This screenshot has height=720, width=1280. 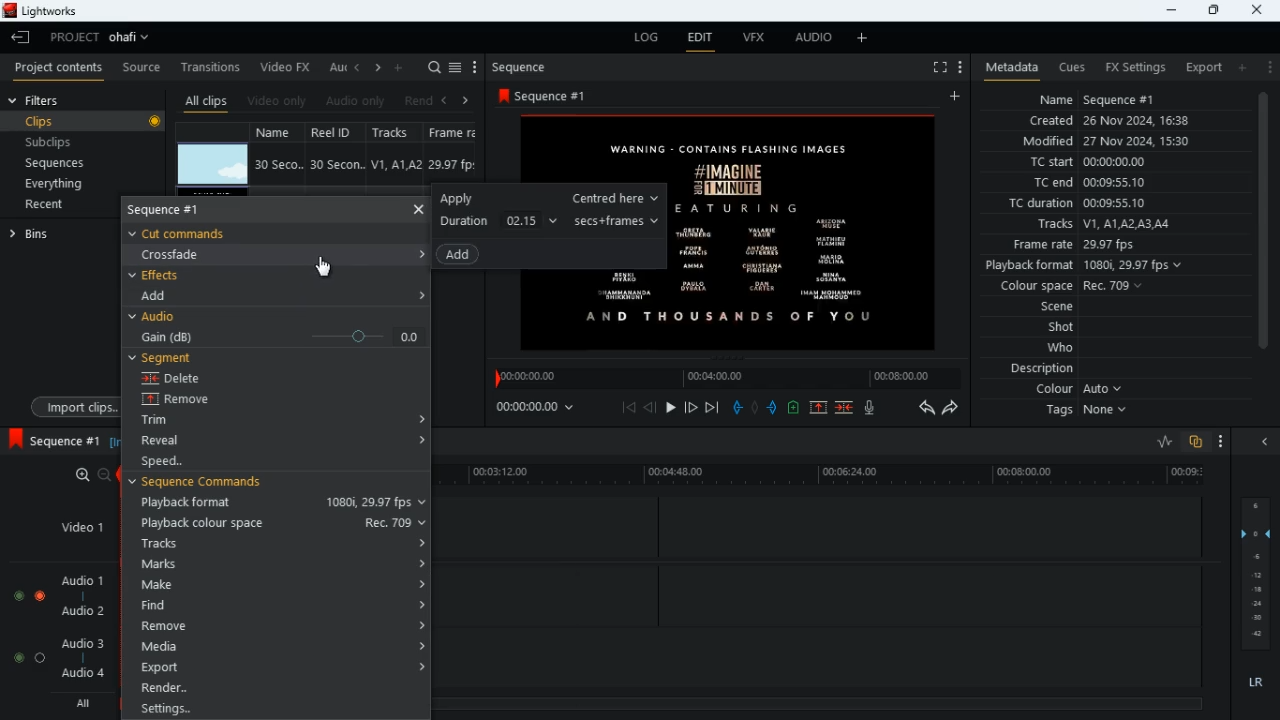 What do you see at coordinates (191, 232) in the screenshot?
I see `cut commands` at bounding box center [191, 232].